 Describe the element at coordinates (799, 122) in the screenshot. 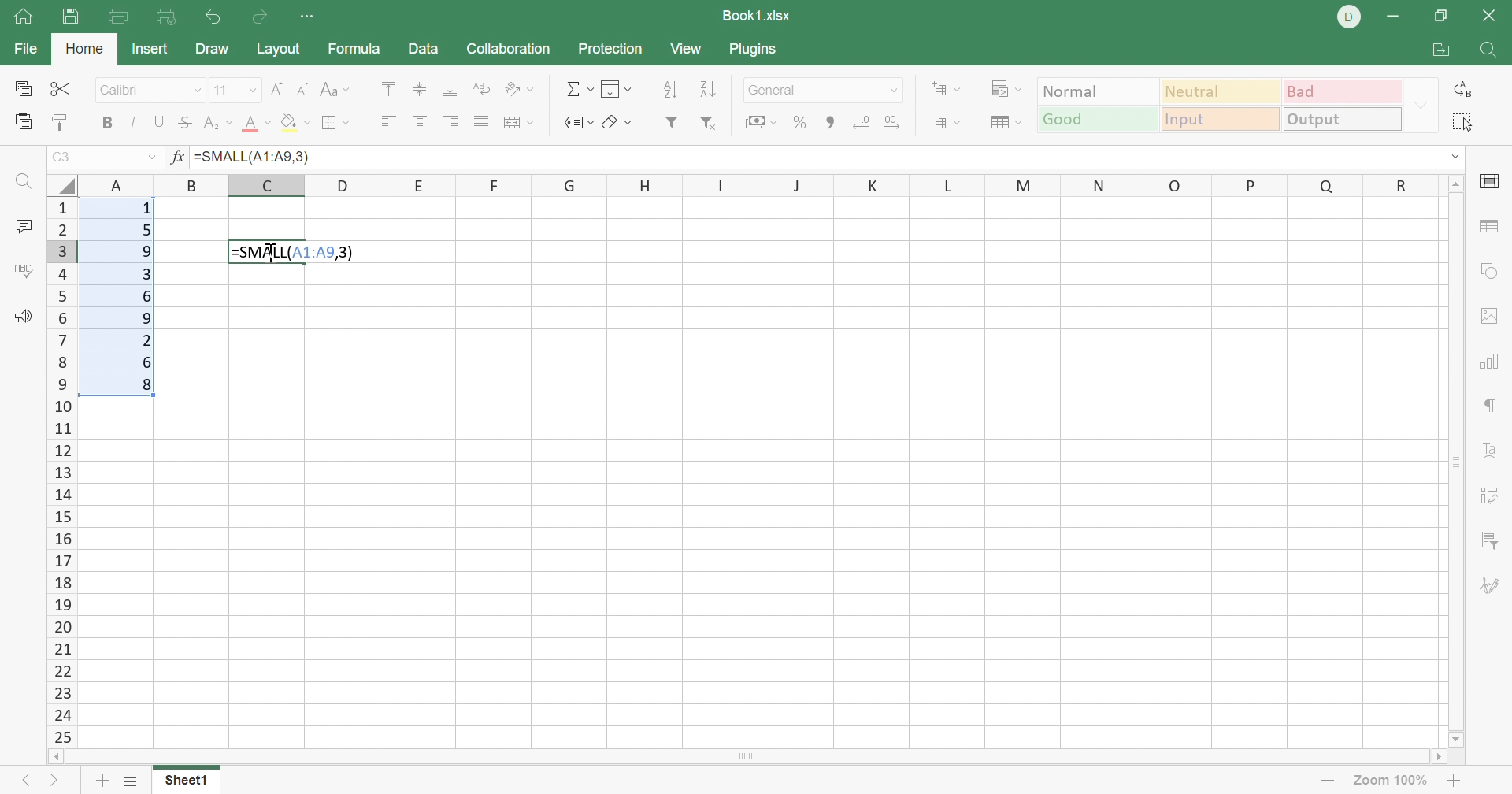

I see `Percent style` at that location.